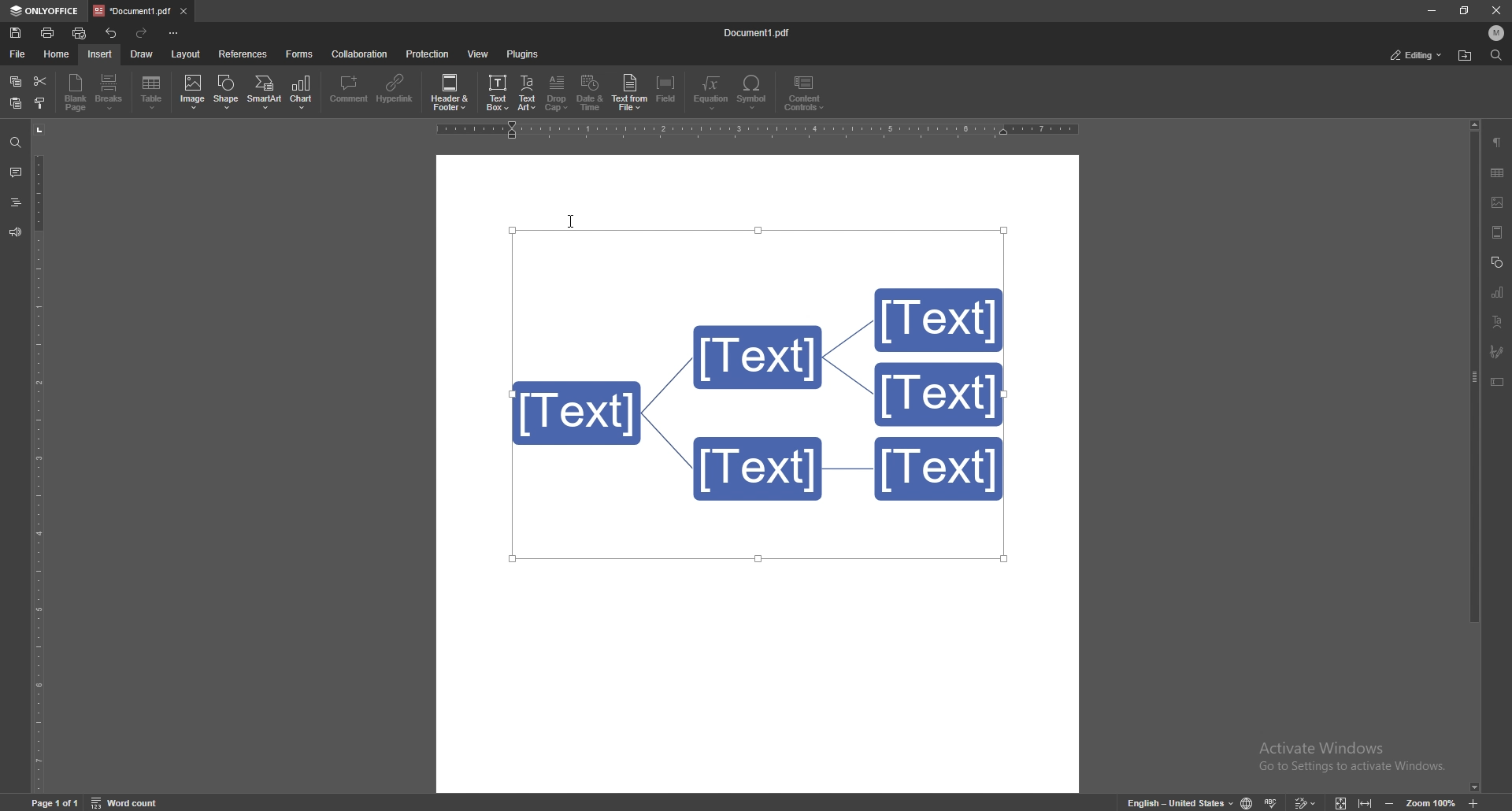  I want to click on breaks, so click(110, 92).